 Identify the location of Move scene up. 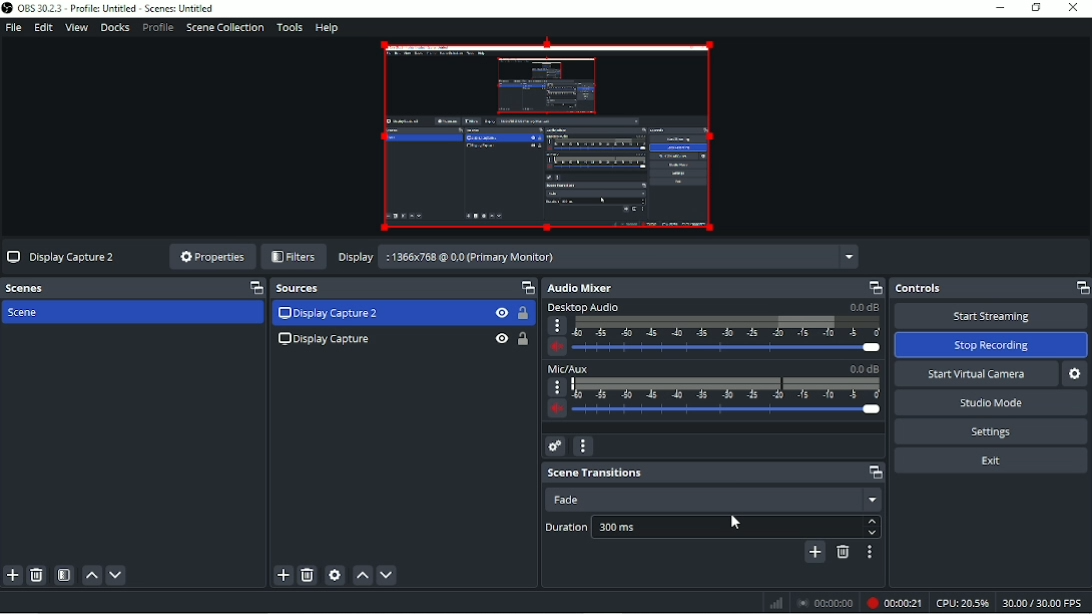
(90, 575).